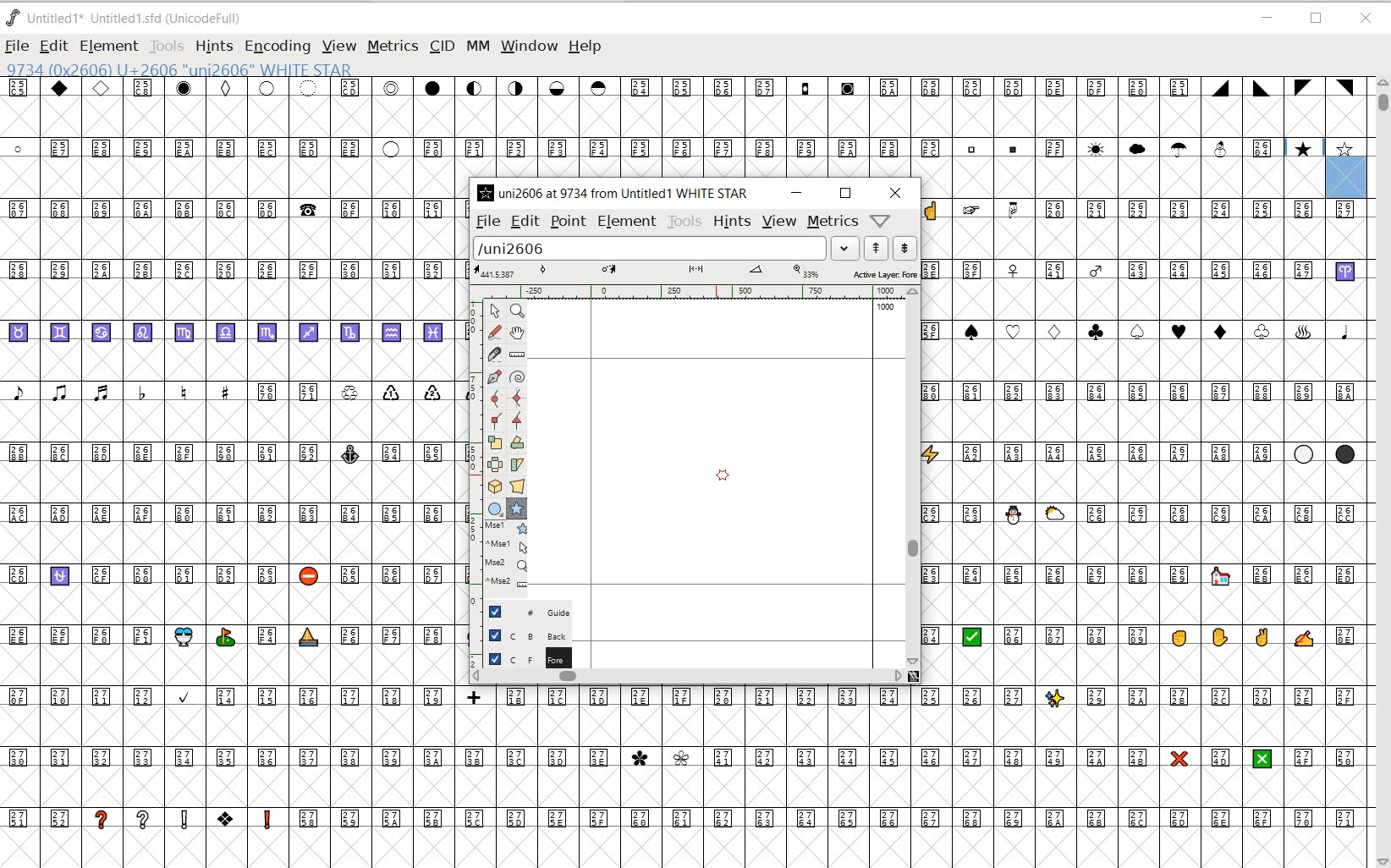  What do you see at coordinates (520, 658) in the screenshot?
I see `FOREGROUND` at bounding box center [520, 658].